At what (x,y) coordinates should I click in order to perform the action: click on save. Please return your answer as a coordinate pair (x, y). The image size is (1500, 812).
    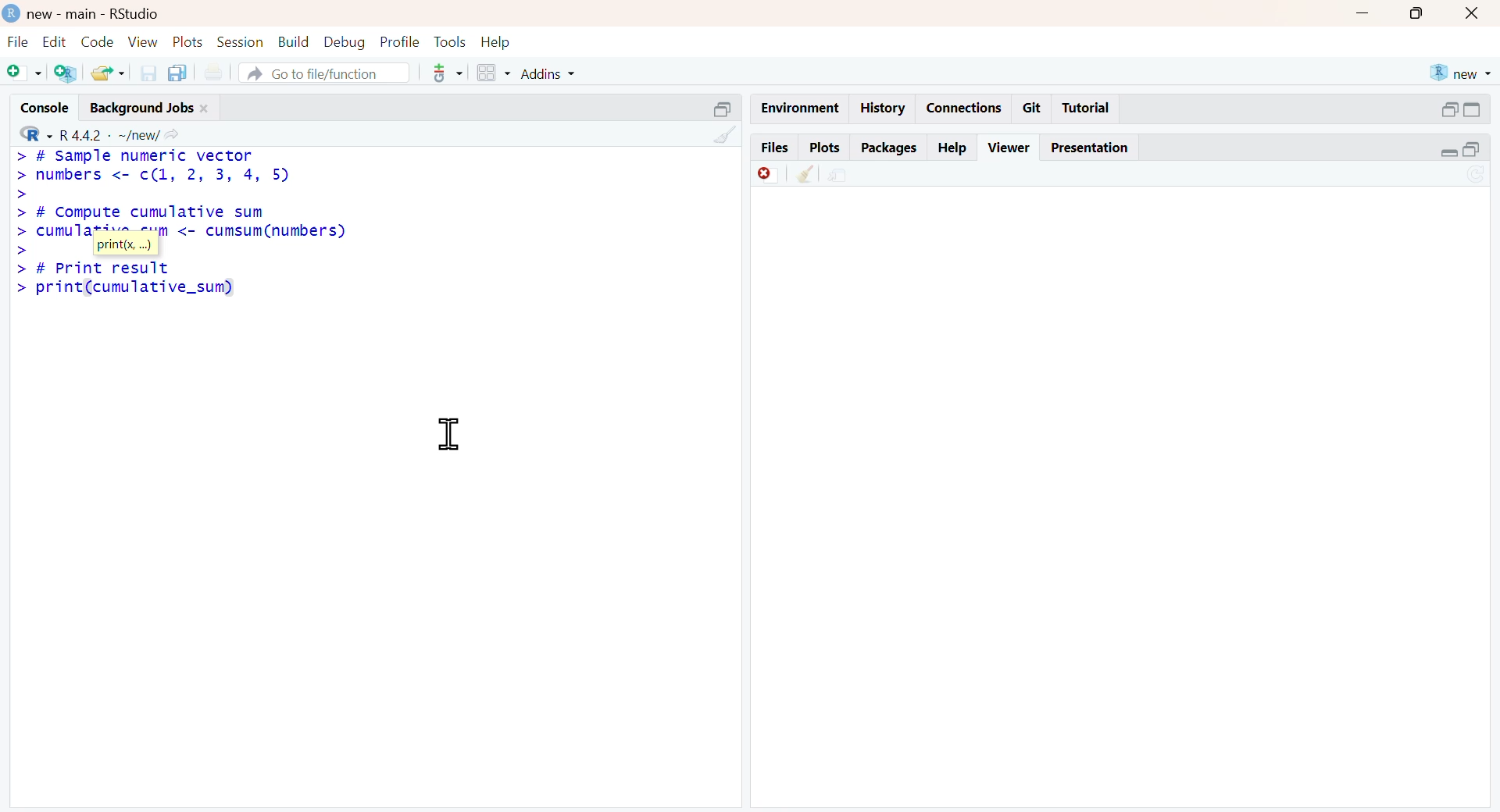
    Looking at the image, I should click on (149, 73).